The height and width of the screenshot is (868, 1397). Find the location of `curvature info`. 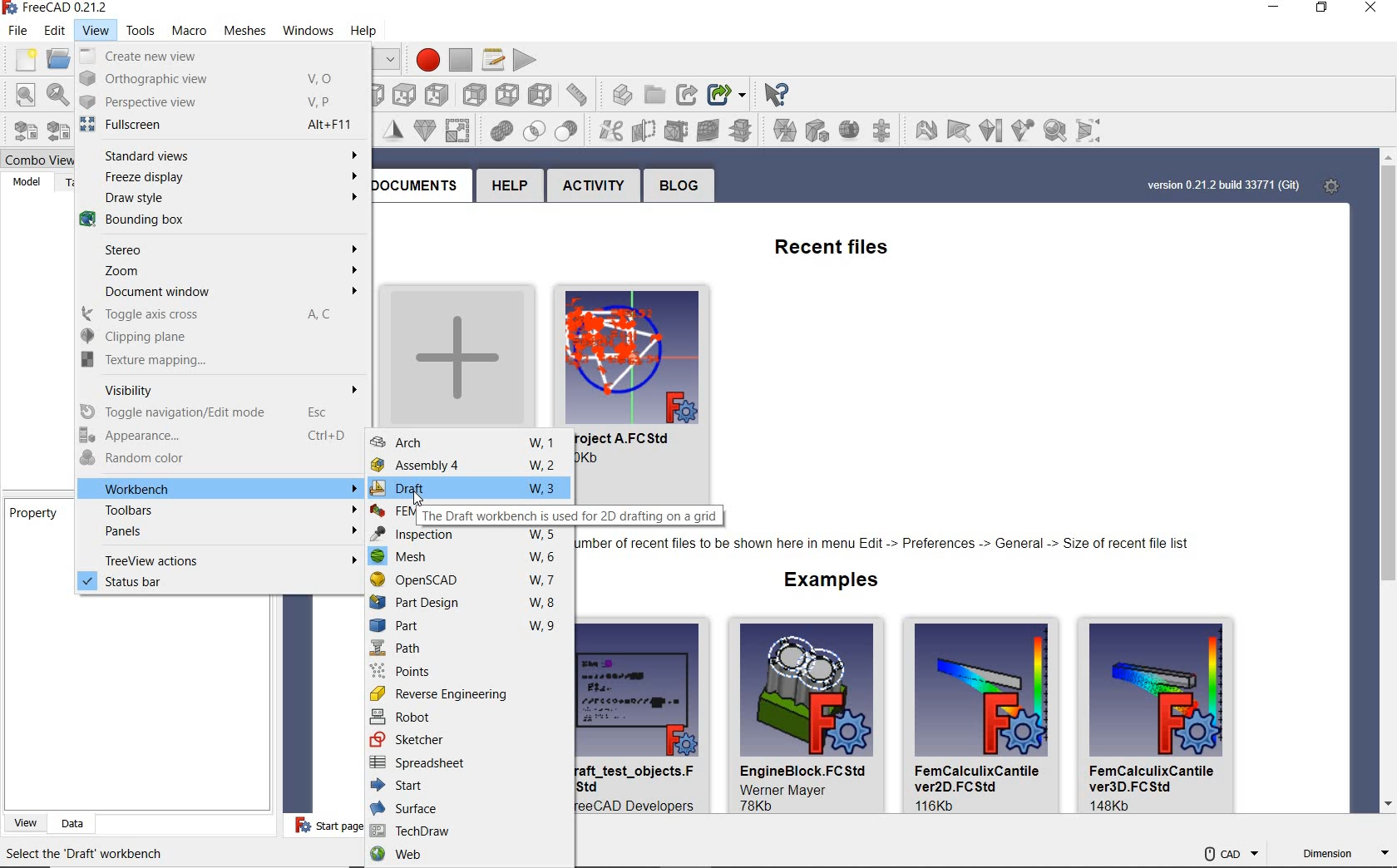

curvature info is located at coordinates (1024, 128).